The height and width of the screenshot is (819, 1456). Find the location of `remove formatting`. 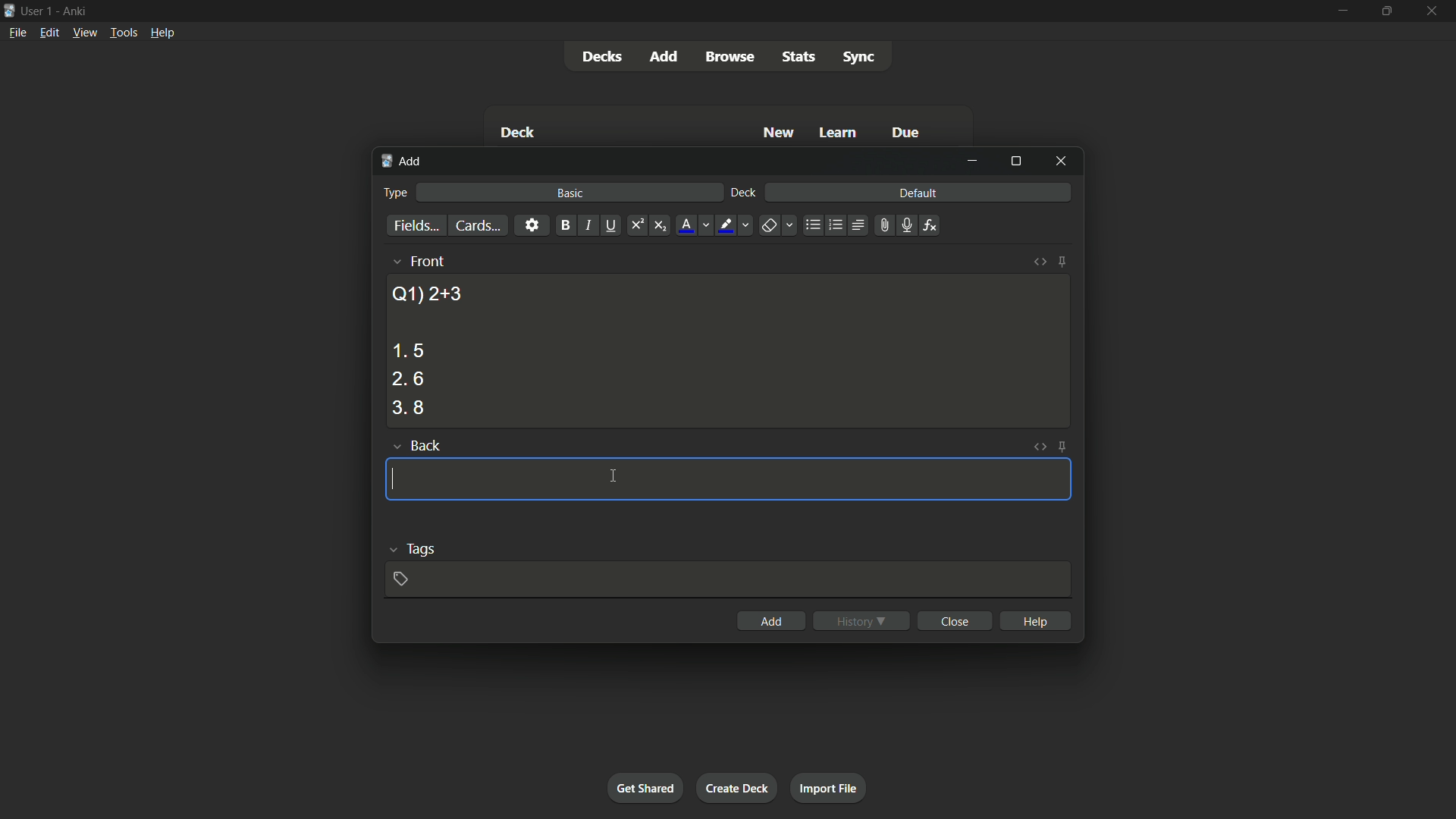

remove formatting is located at coordinates (769, 227).